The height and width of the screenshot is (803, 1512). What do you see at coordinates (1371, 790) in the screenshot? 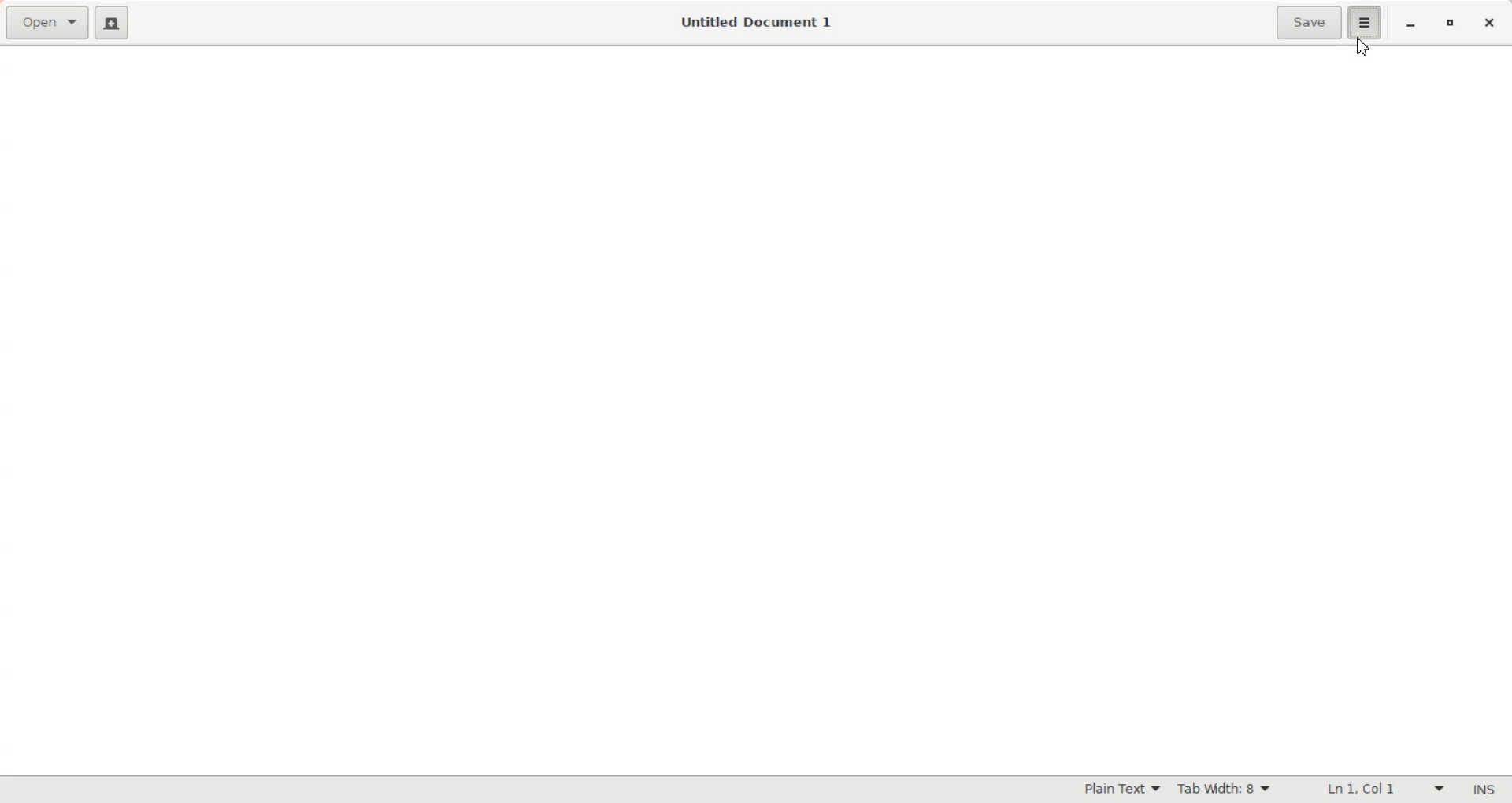
I see `Line Column` at bounding box center [1371, 790].